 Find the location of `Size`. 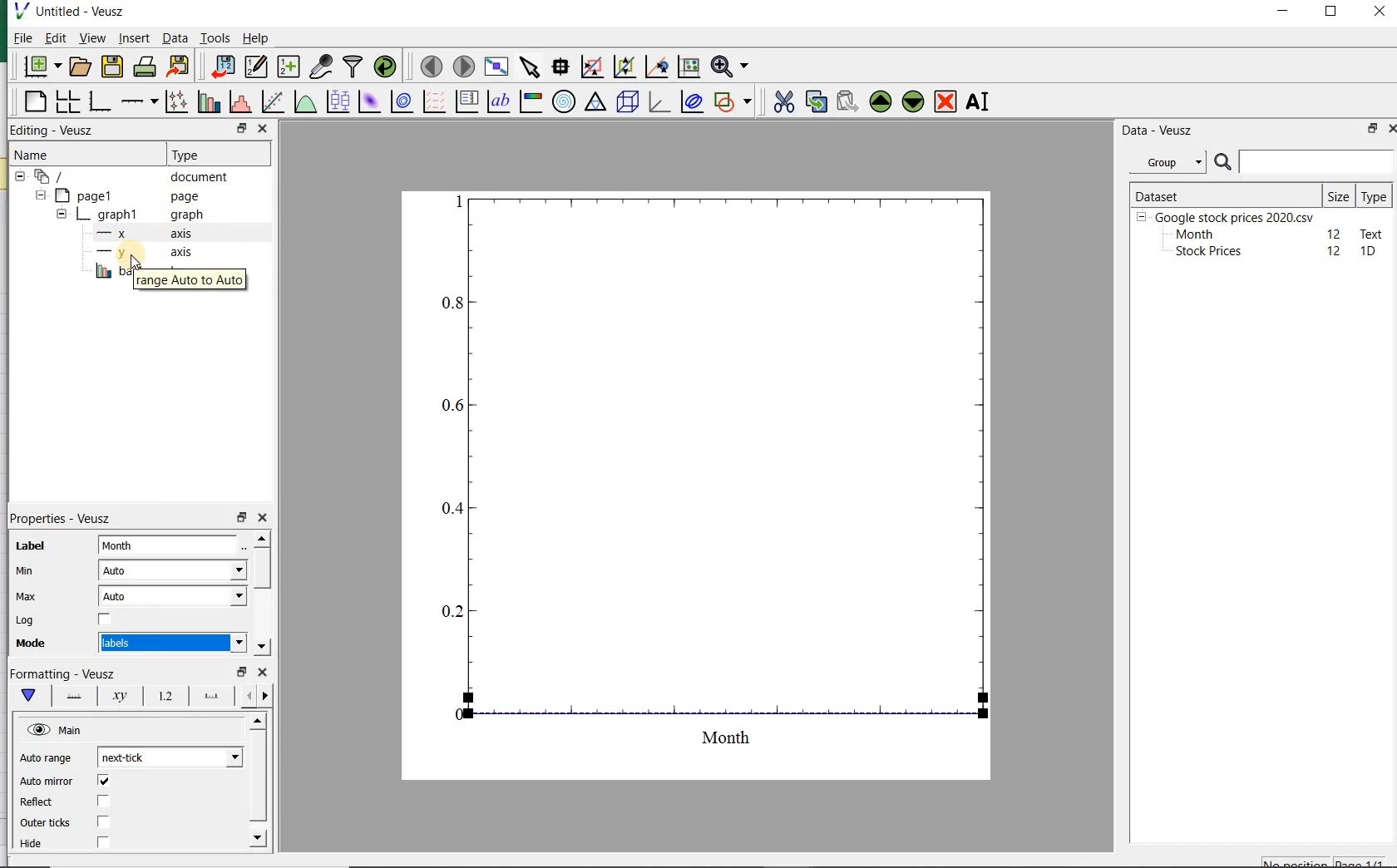

Size is located at coordinates (1339, 195).